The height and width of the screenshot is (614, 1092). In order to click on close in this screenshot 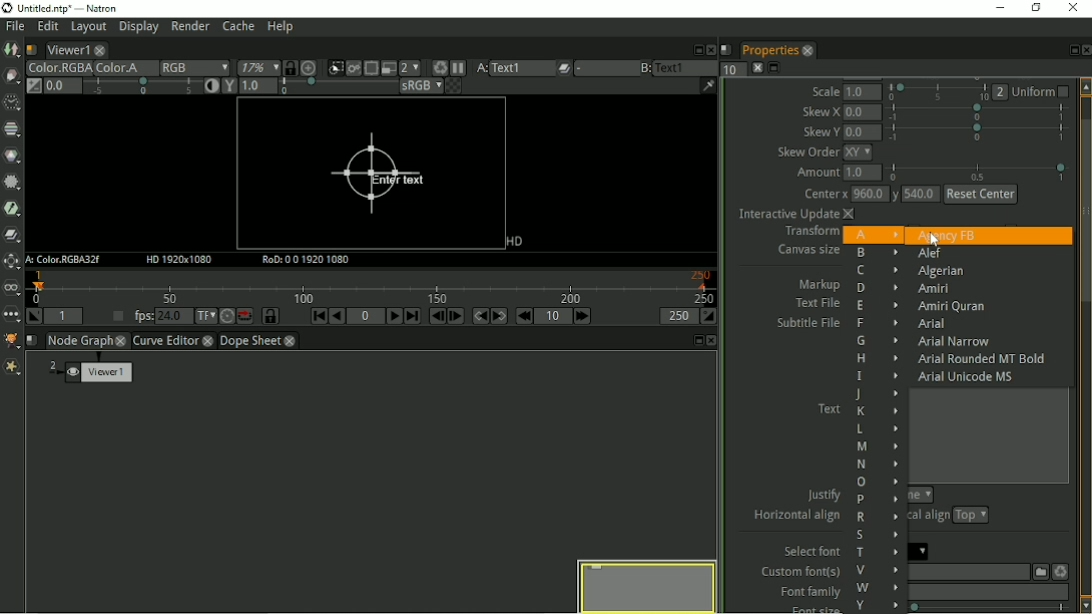, I will do `click(290, 342)`.